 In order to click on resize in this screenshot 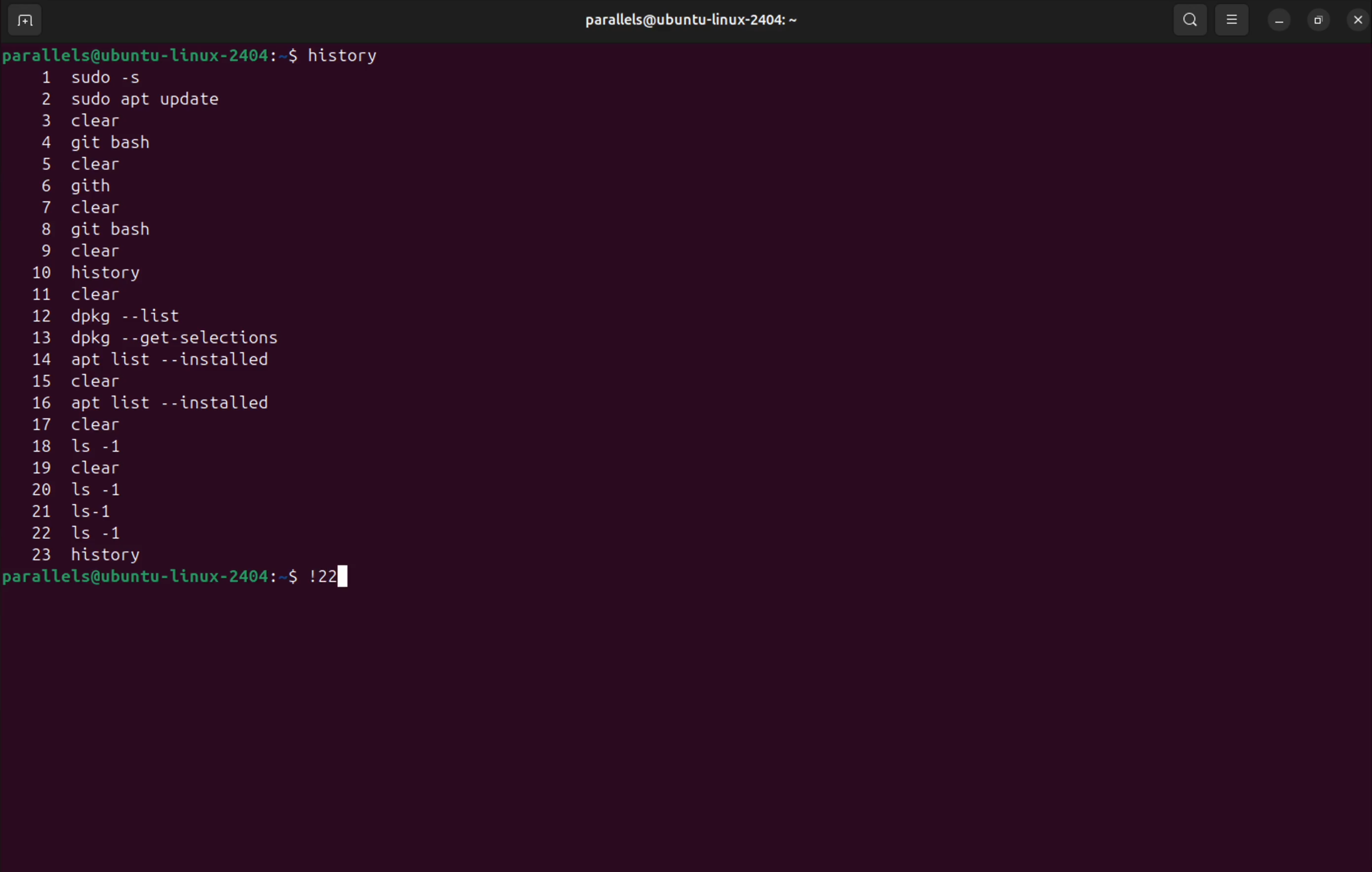, I will do `click(1318, 18)`.